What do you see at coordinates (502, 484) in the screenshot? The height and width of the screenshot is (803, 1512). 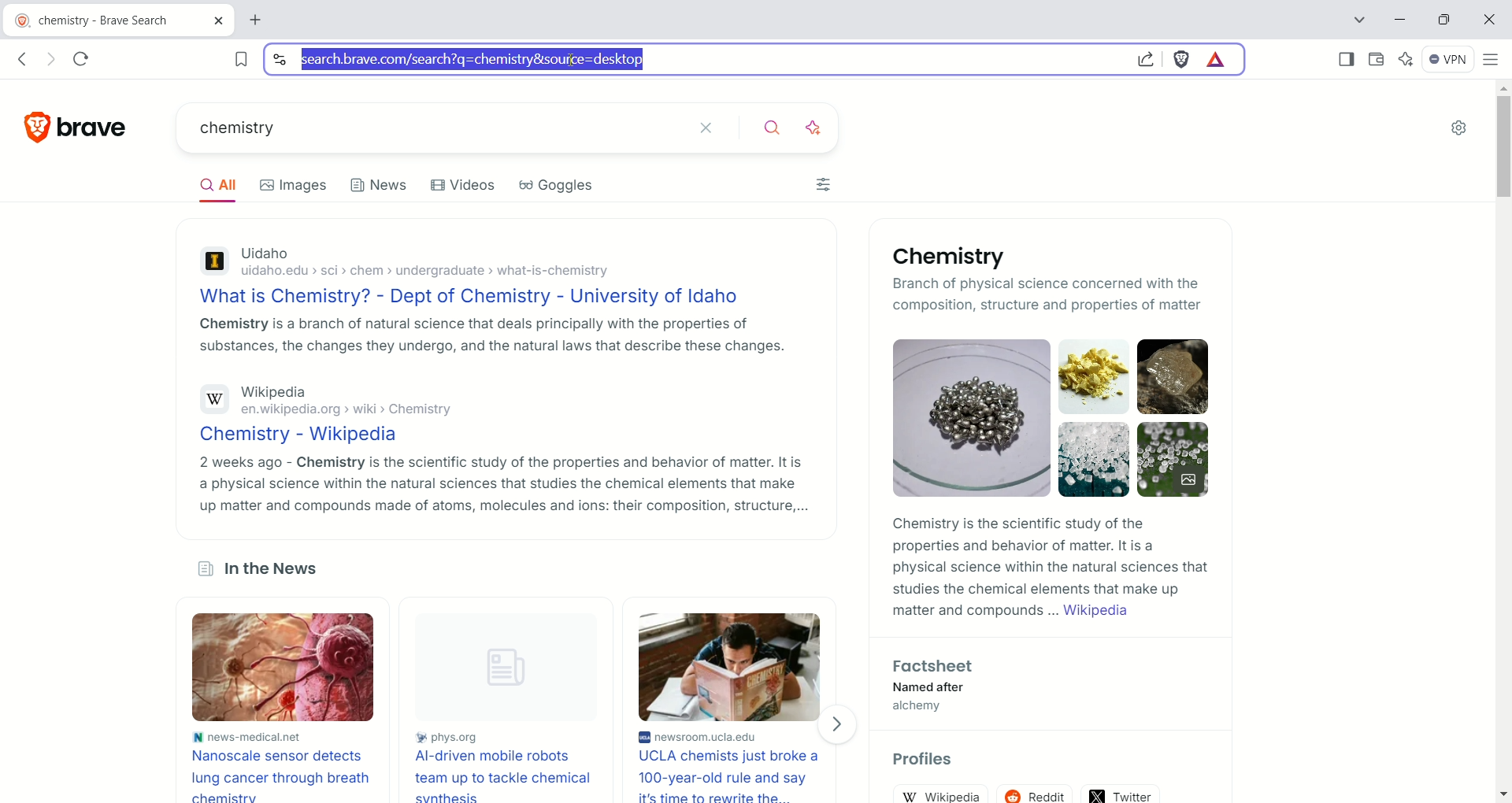 I see `2 weeks ago - Chemistry is the scientific study of the properties and behavior of matter. It is a physical science within the natural sciences that studies the chemical elements that make up matter and compounds made of atoms, molecules and ions: their composition, structure,...` at bounding box center [502, 484].